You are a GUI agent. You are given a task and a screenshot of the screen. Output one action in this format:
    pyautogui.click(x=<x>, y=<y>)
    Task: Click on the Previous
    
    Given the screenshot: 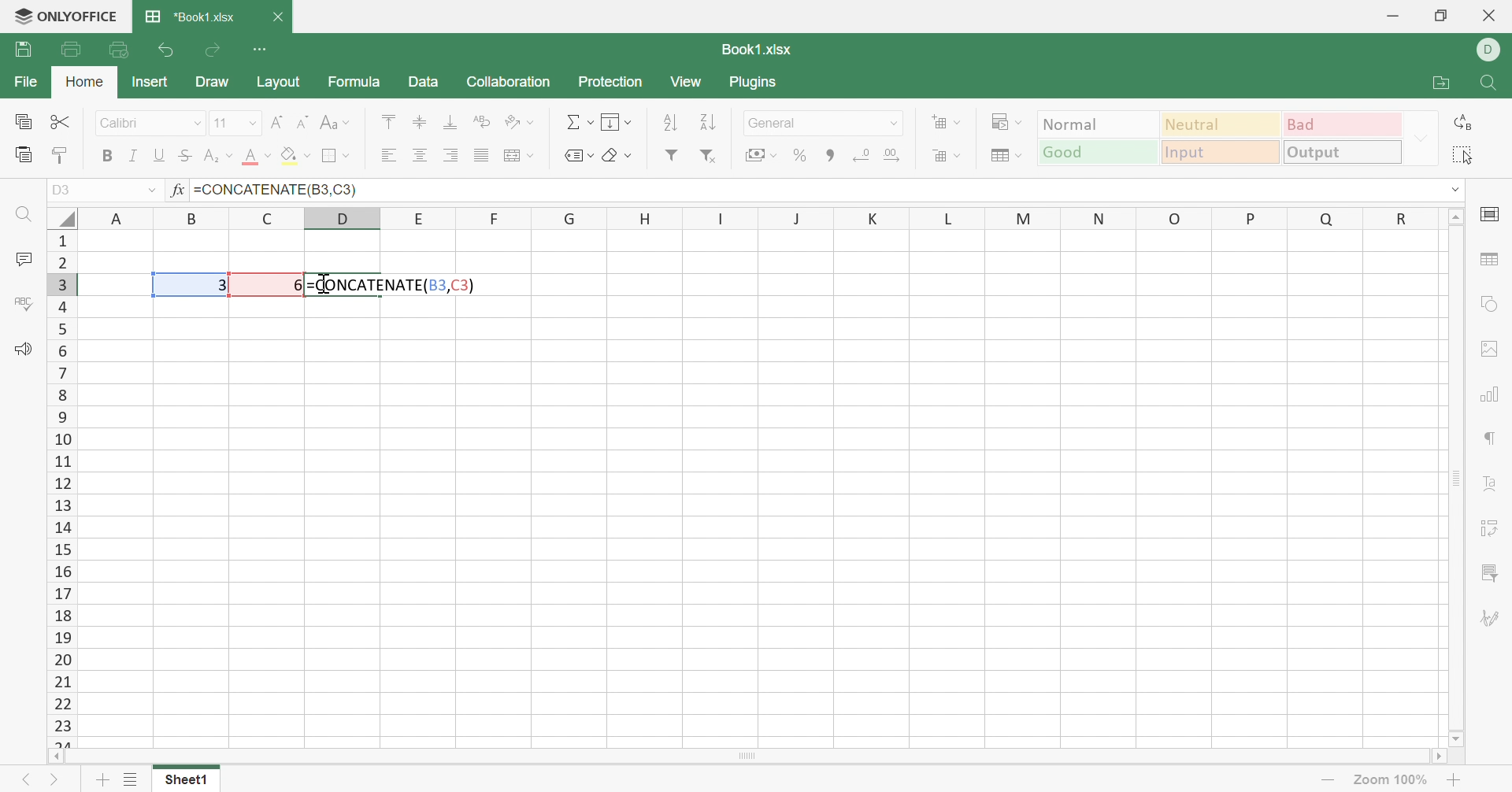 What is the action you would take?
    pyautogui.click(x=27, y=780)
    